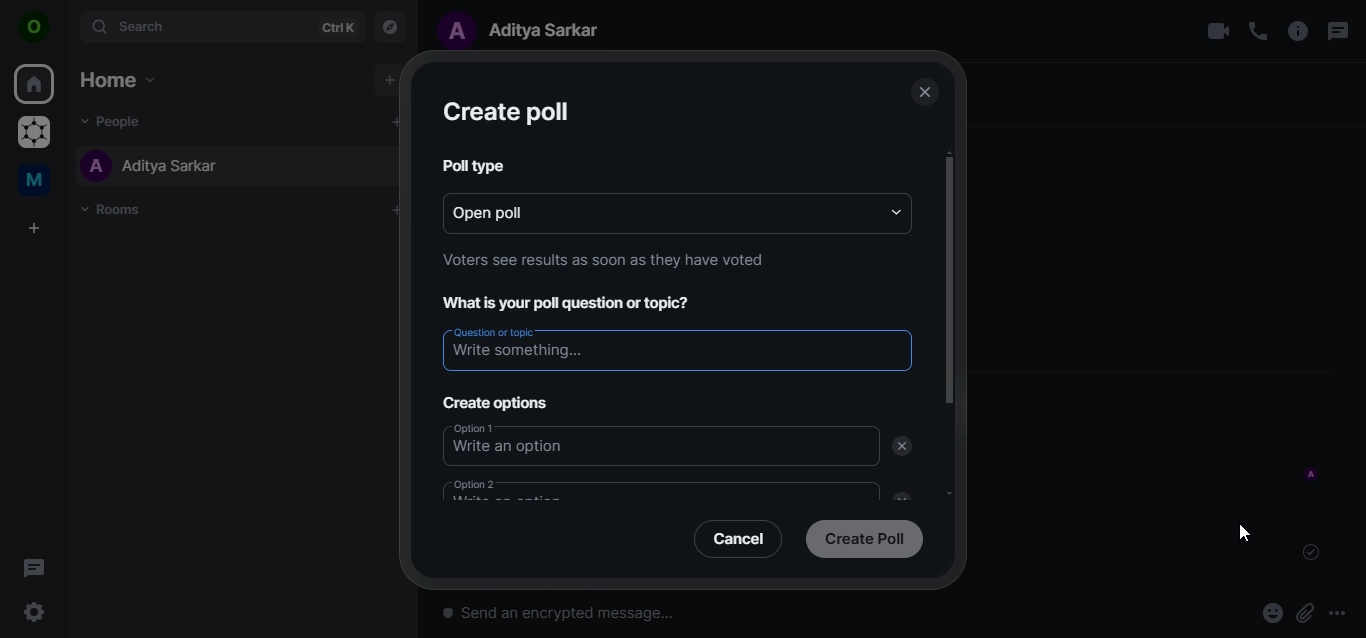 The height and width of the screenshot is (638, 1366). Describe the element at coordinates (864, 540) in the screenshot. I see `create poll` at that location.